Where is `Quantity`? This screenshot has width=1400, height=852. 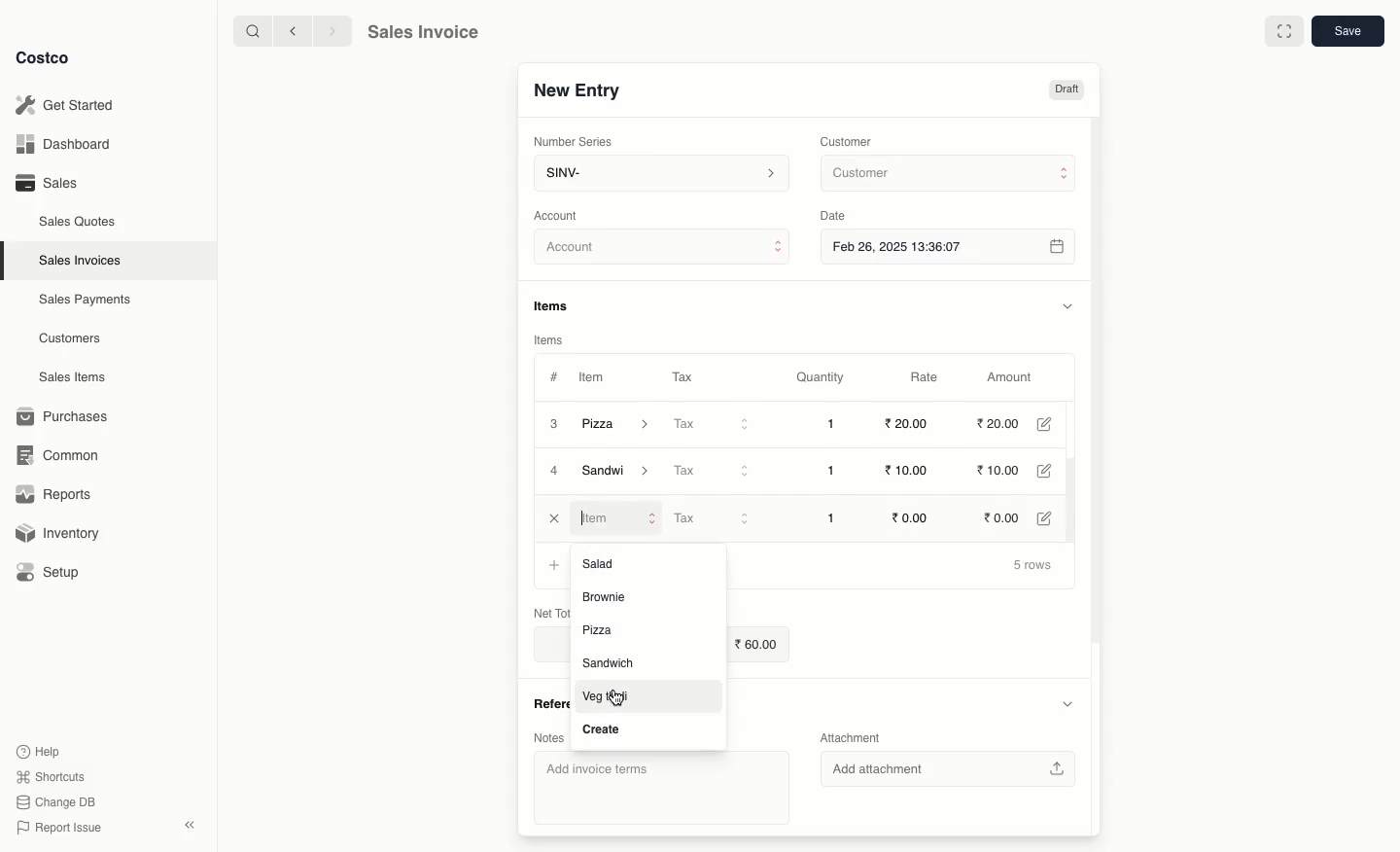 Quantity is located at coordinates (819, 378).